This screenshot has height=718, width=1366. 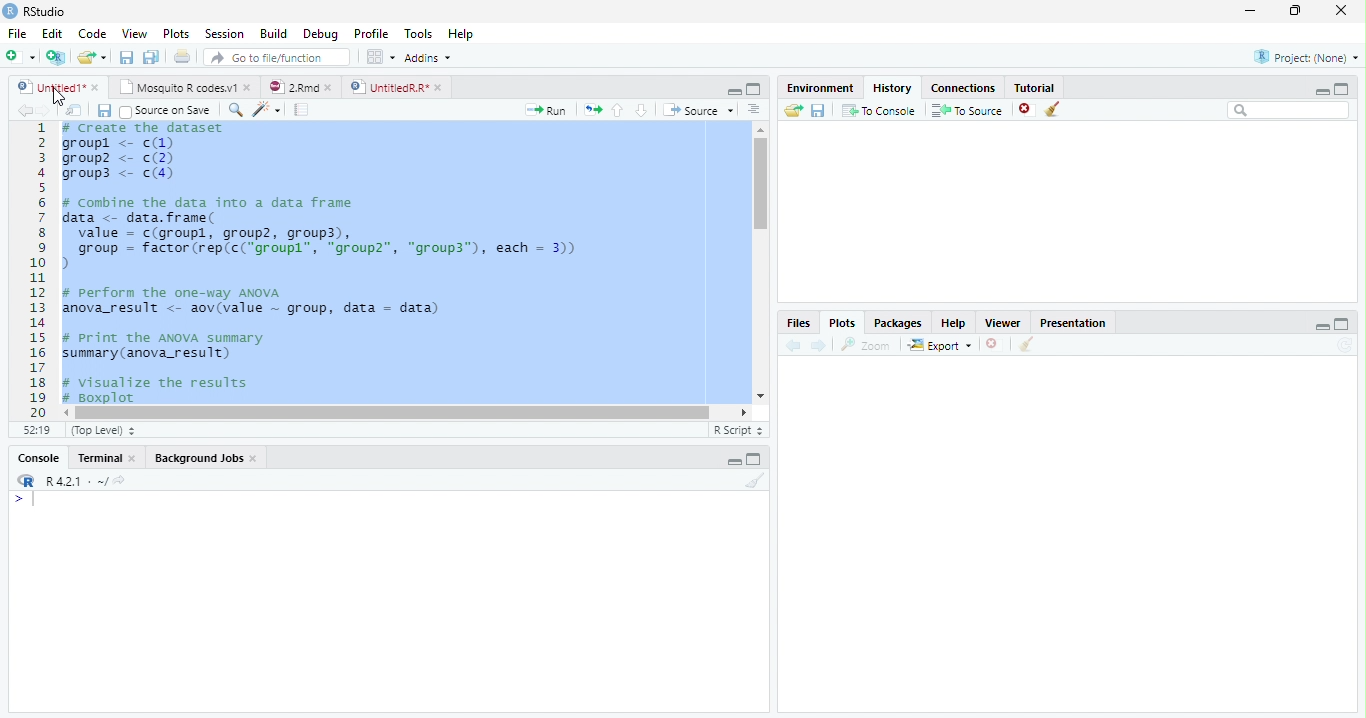 What do you see at coordinates (546, 110) in the screenshot?
I see `Run` at bounding box center [546, 110].